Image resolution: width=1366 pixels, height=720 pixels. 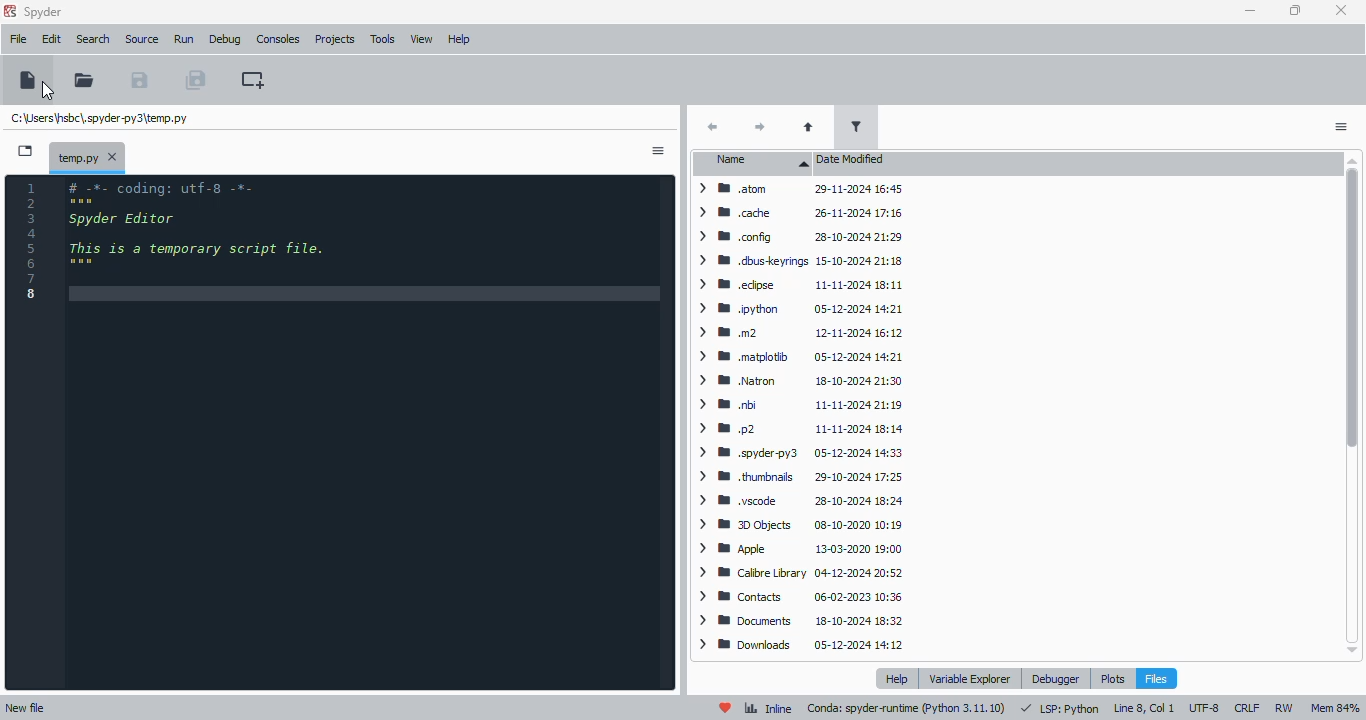 What do you see at coordinates (367, 433) in the screenshot?
I see `editor` at bounding box center [367, 433].